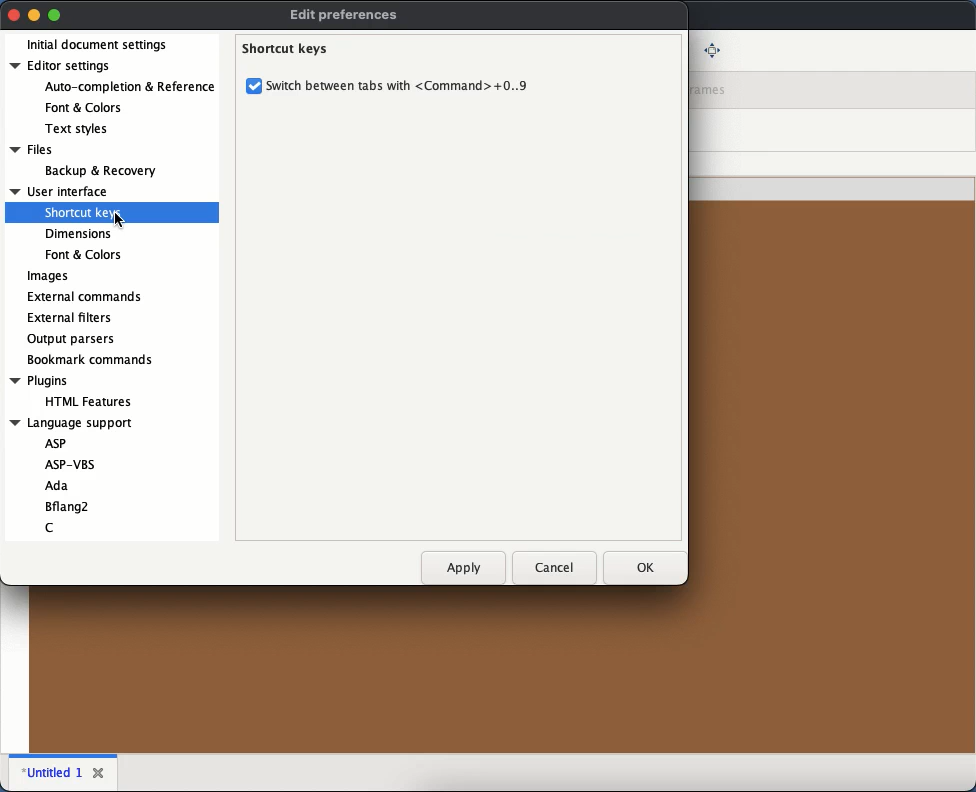 Image resolution: width=976 pixels, height=792 pixels. I want to click on 'ASP-VBS, so click(69, 465).